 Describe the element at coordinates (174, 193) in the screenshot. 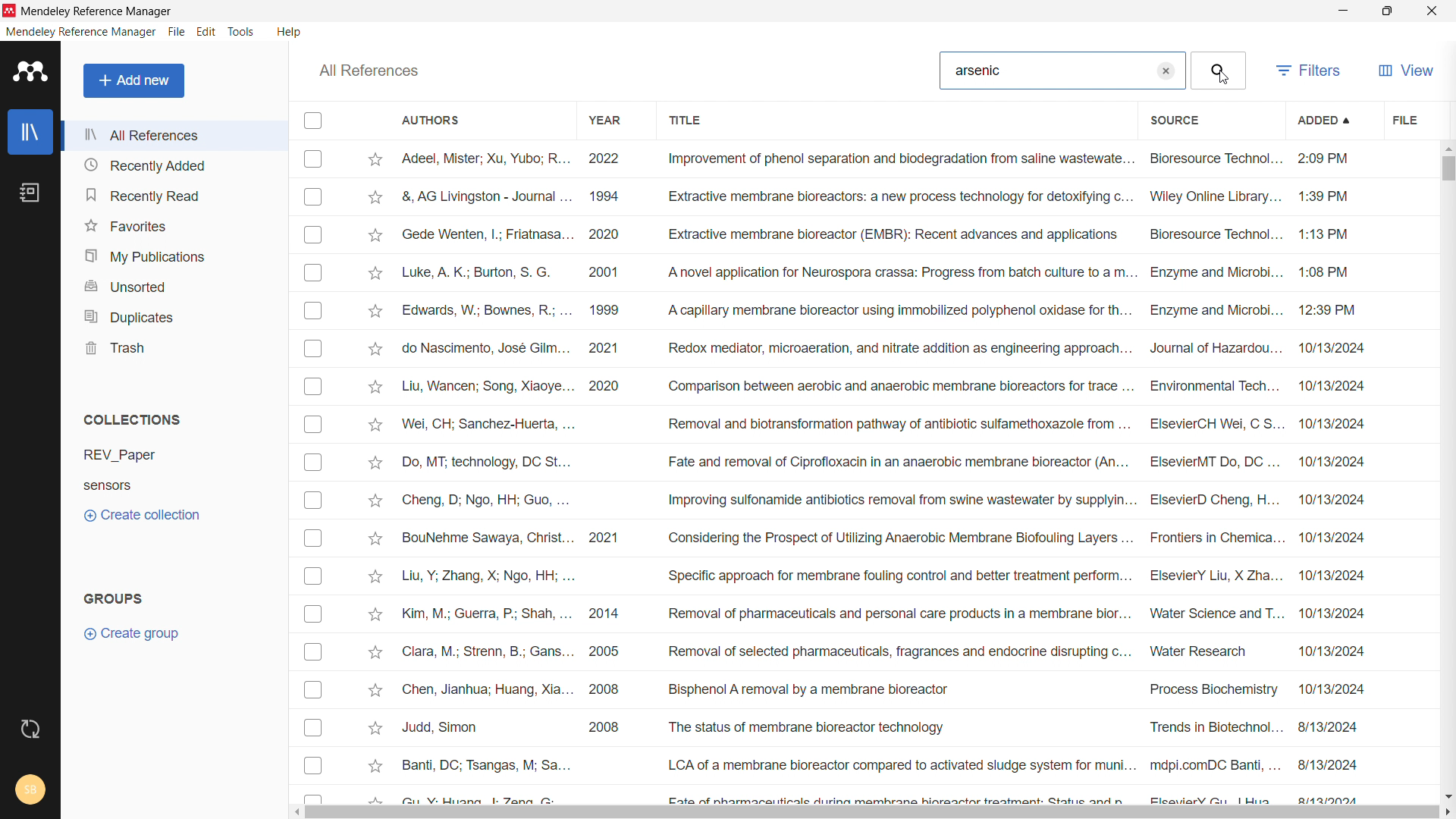

I see `recently read` at that location.